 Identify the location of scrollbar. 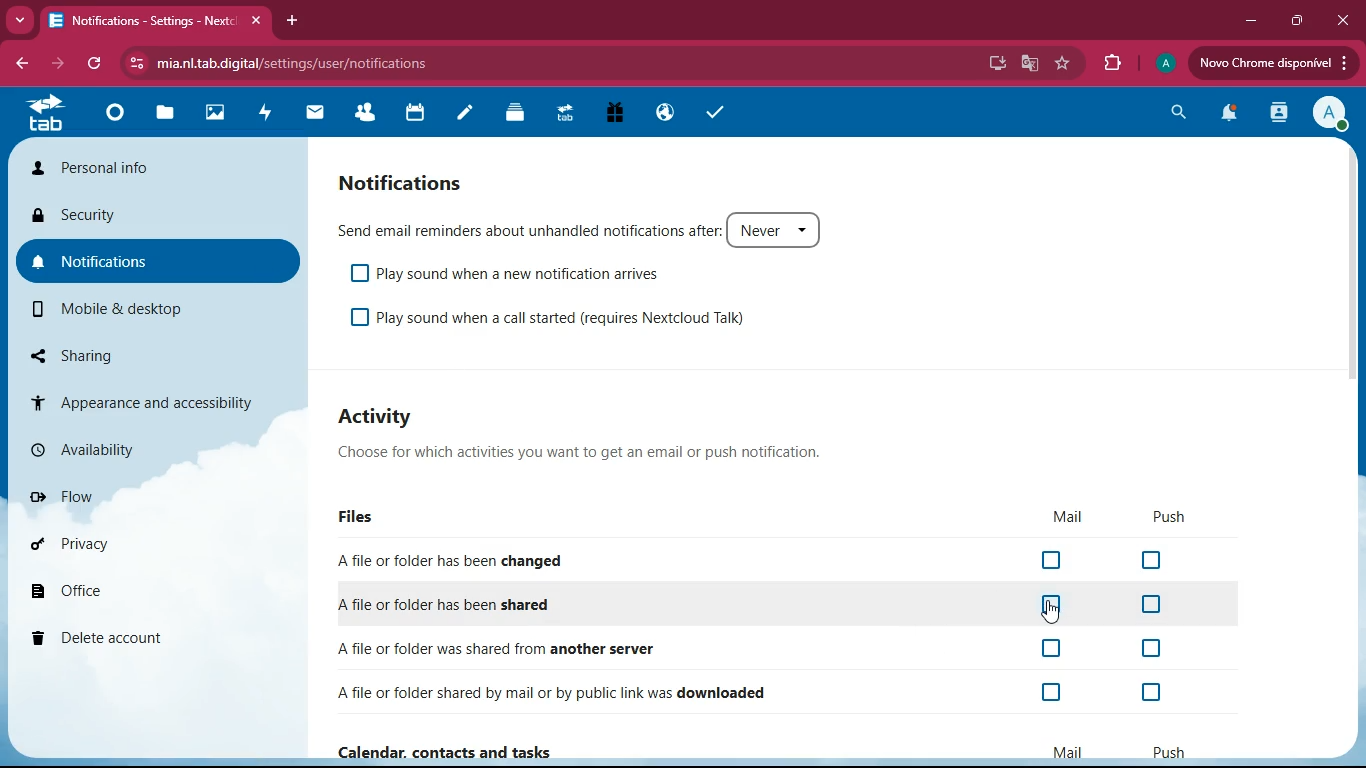
(1353, 272).